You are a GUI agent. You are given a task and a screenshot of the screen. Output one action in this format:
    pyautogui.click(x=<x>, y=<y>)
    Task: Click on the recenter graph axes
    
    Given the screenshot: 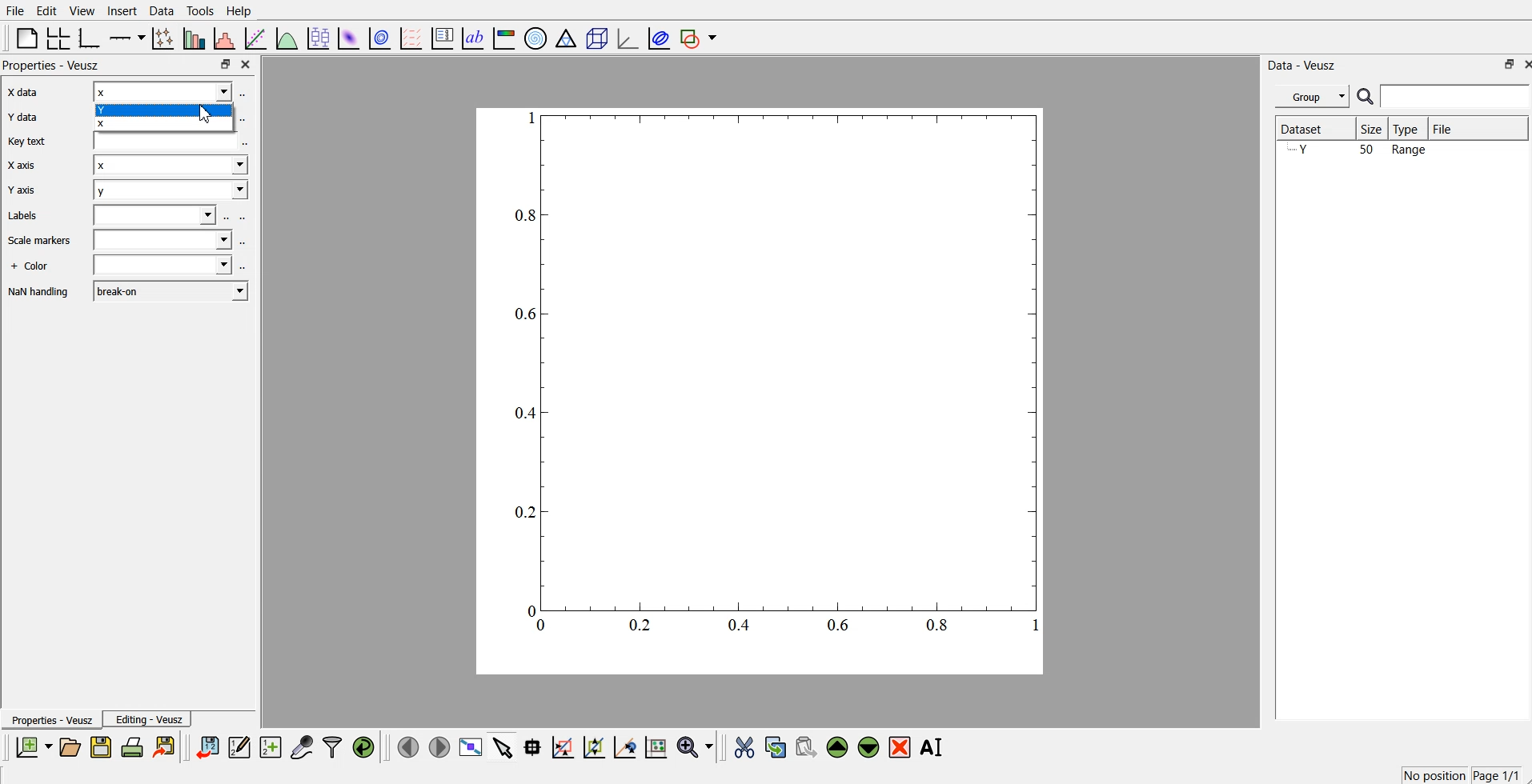 What is the action you would take?
    pyautogui.click(x=624, y=747)
    